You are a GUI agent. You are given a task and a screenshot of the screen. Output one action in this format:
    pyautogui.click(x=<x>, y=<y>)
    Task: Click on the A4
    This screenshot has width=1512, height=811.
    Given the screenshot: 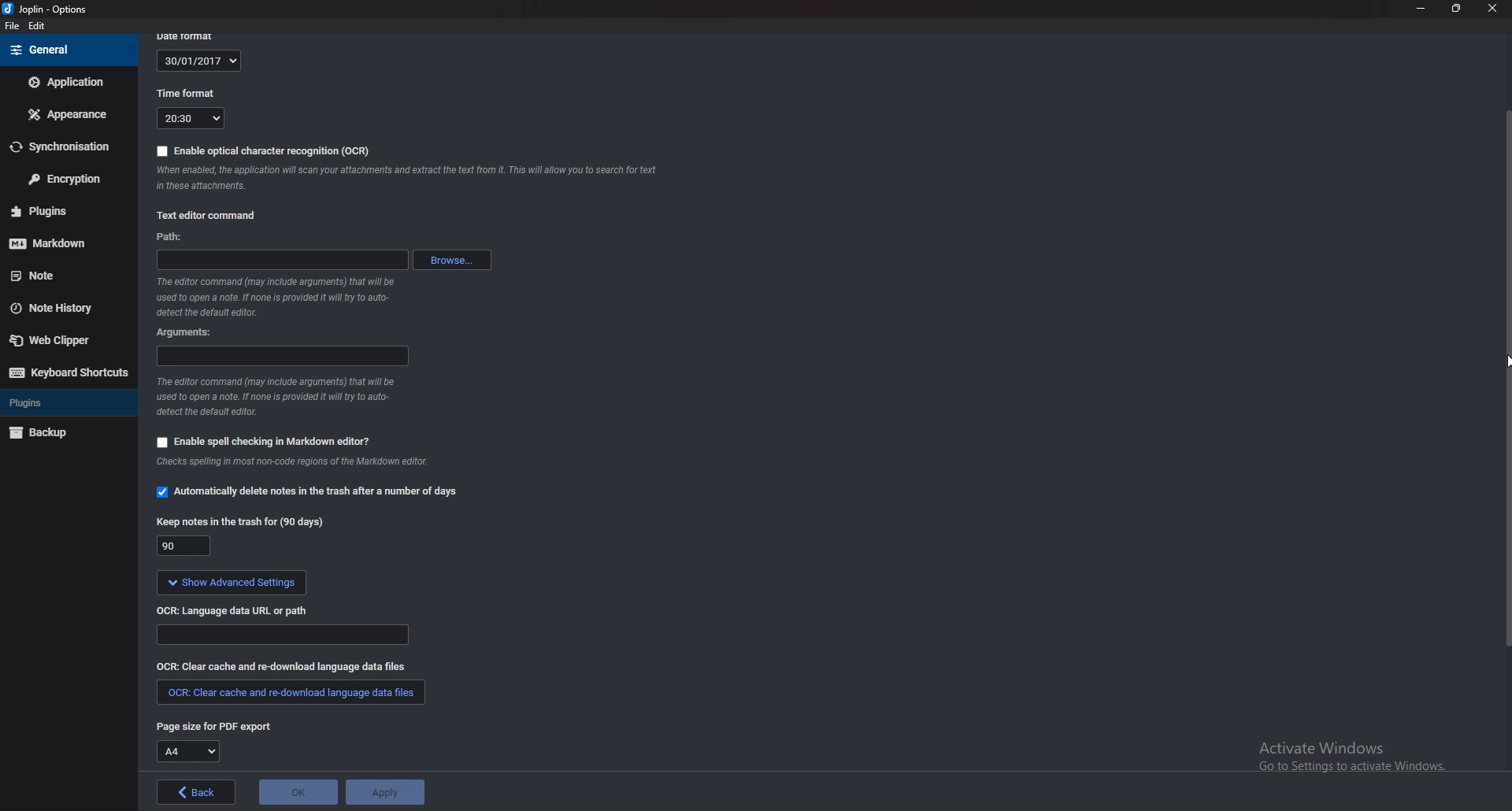 What is the action you would take?
    pyautogui.click(x=187, y=751)
    